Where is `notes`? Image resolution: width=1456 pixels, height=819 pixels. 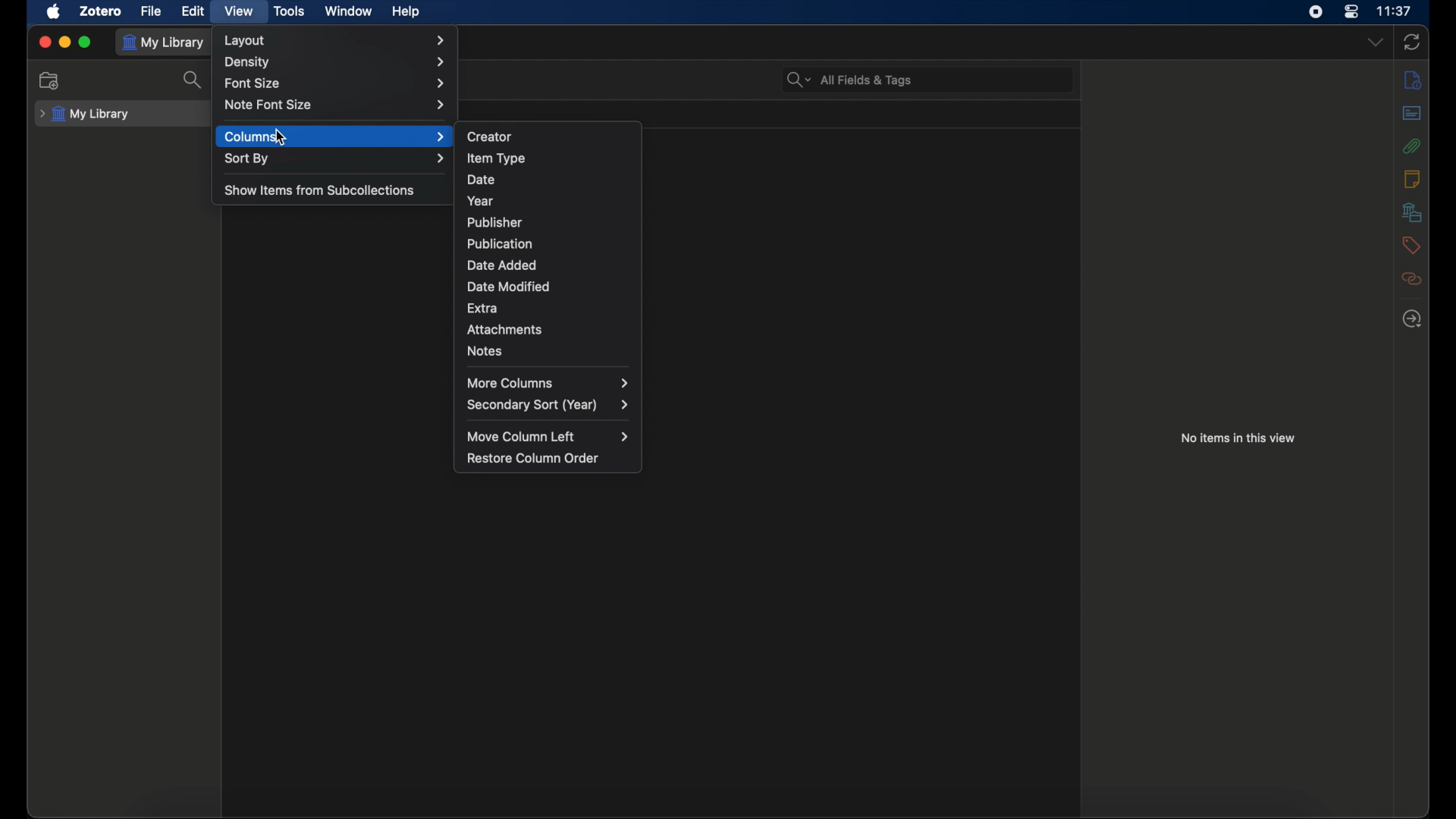
notes is located at coordinates (1411, 177).